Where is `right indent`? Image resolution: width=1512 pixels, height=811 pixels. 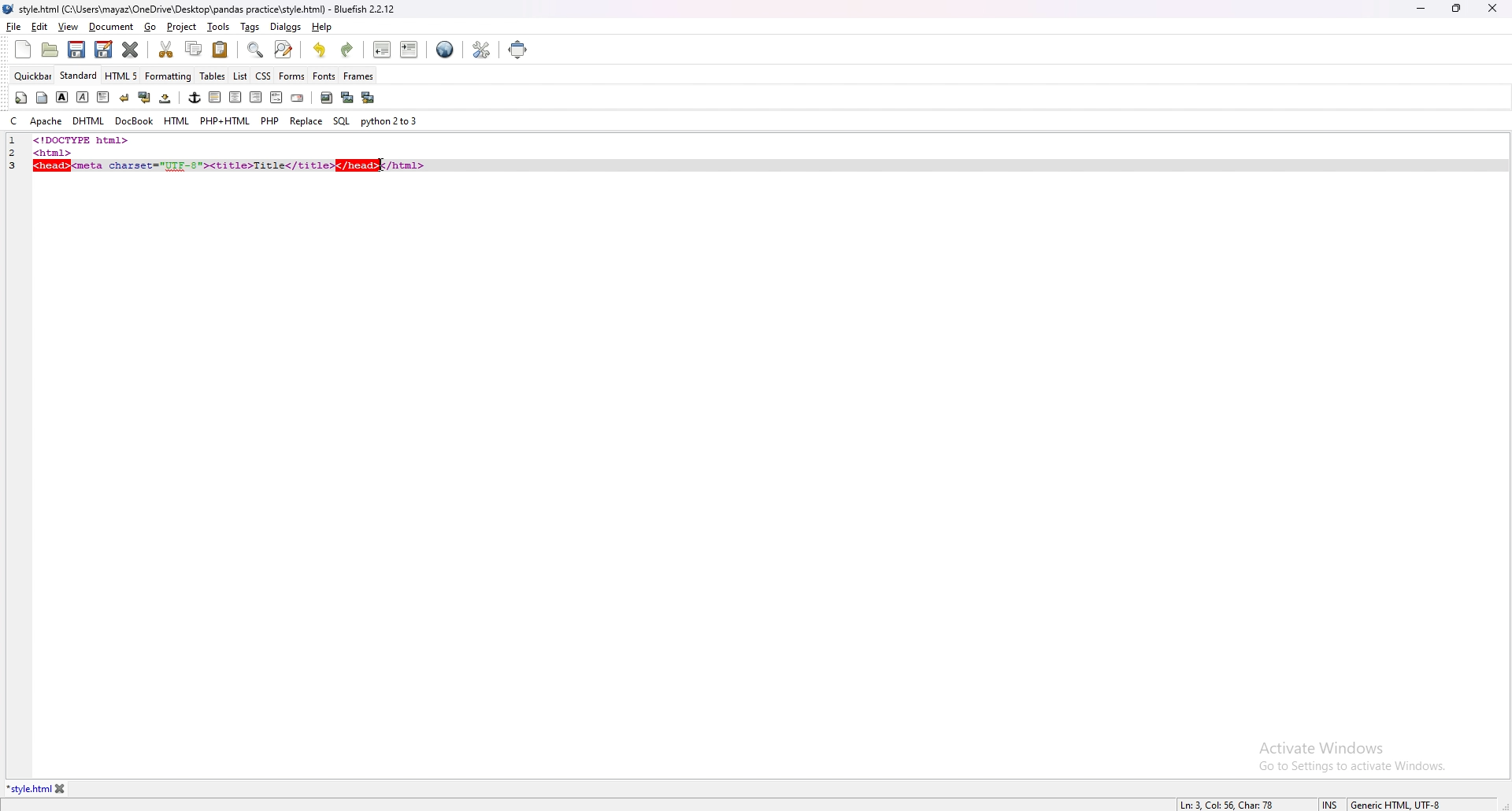 right indent is located at coordinates (254, 97).